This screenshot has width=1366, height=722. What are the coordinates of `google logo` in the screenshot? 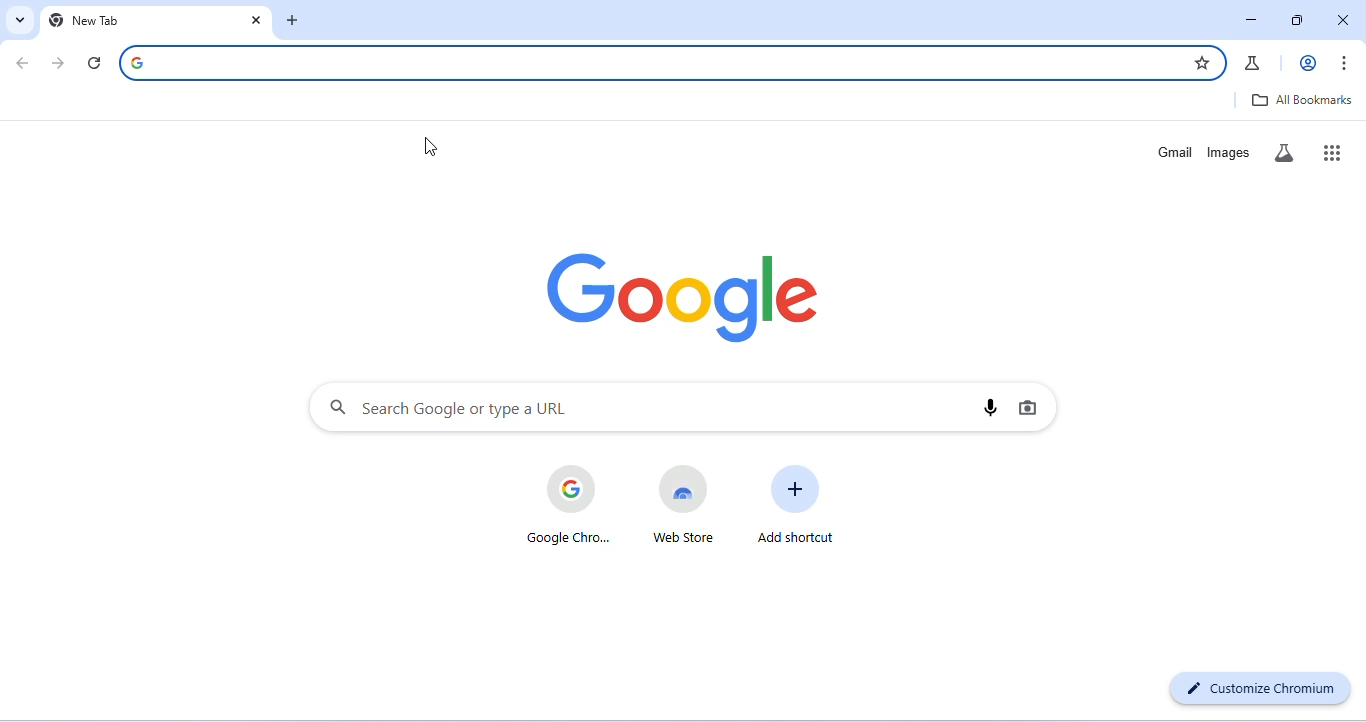 It's located at (684, 300).